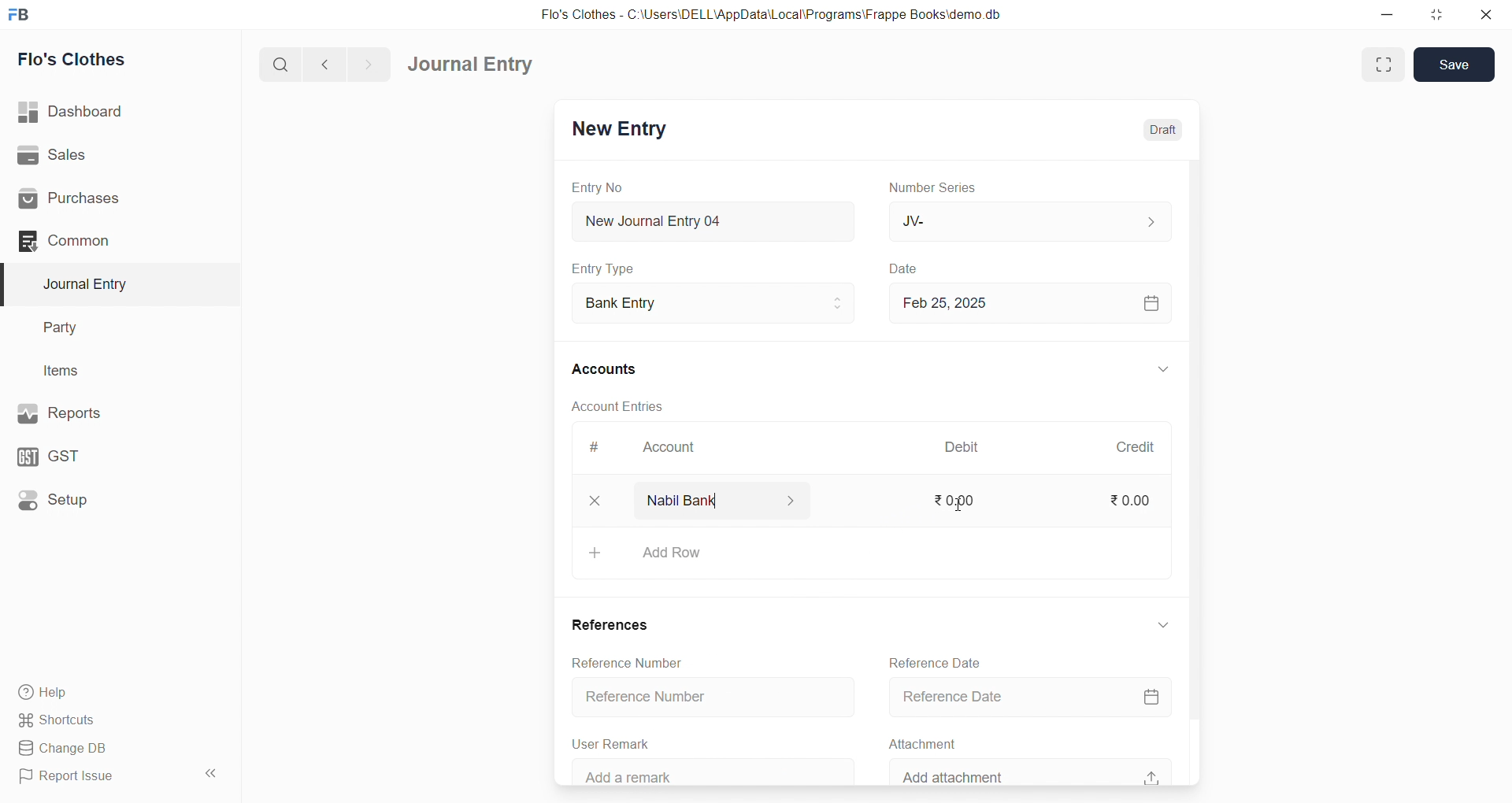  Describe the element at coordinates (113, 60) in the screenshot. I see `Flo's Clothes` at that location.